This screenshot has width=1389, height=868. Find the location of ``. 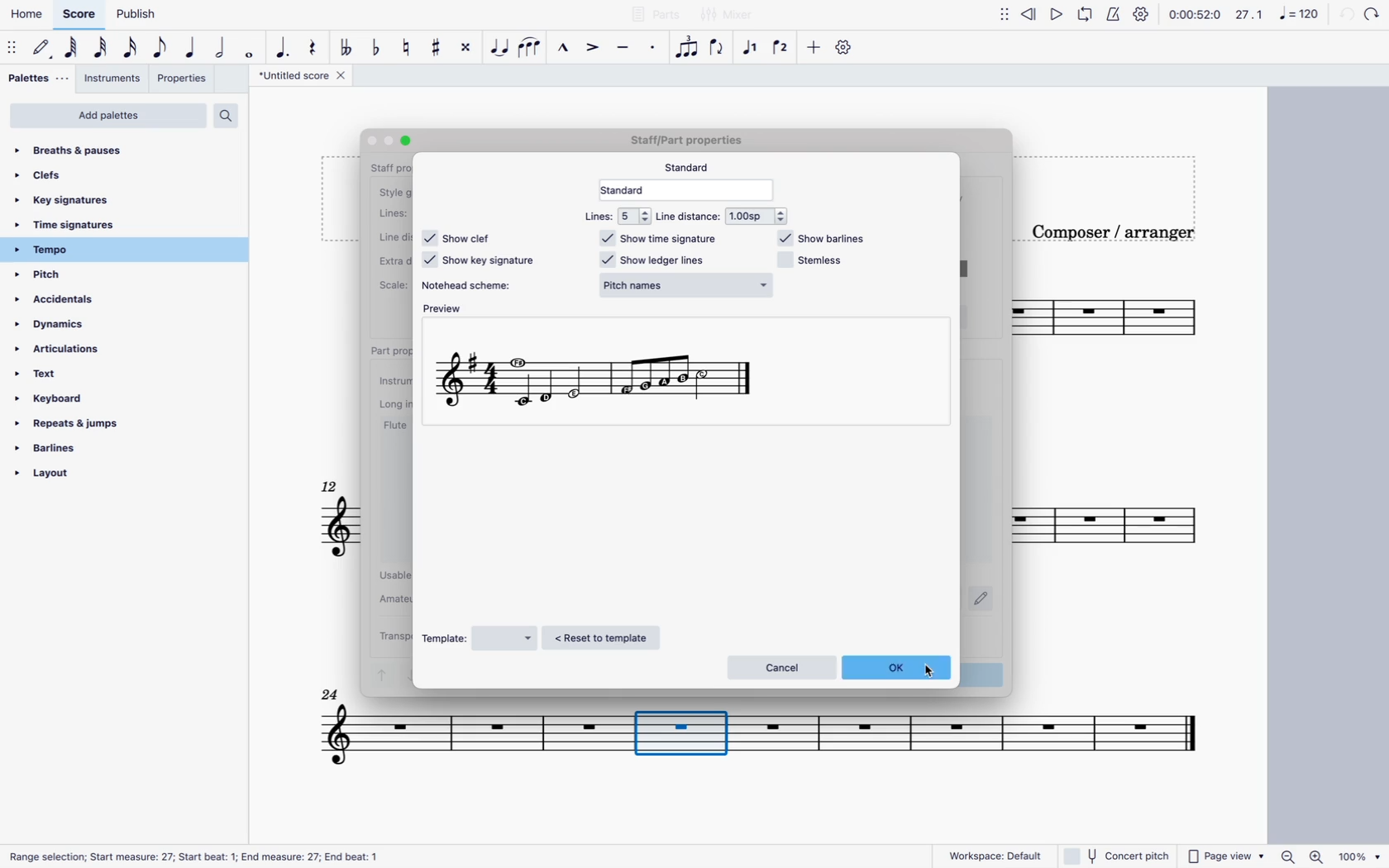

 is located at coordinates (1375, 14).